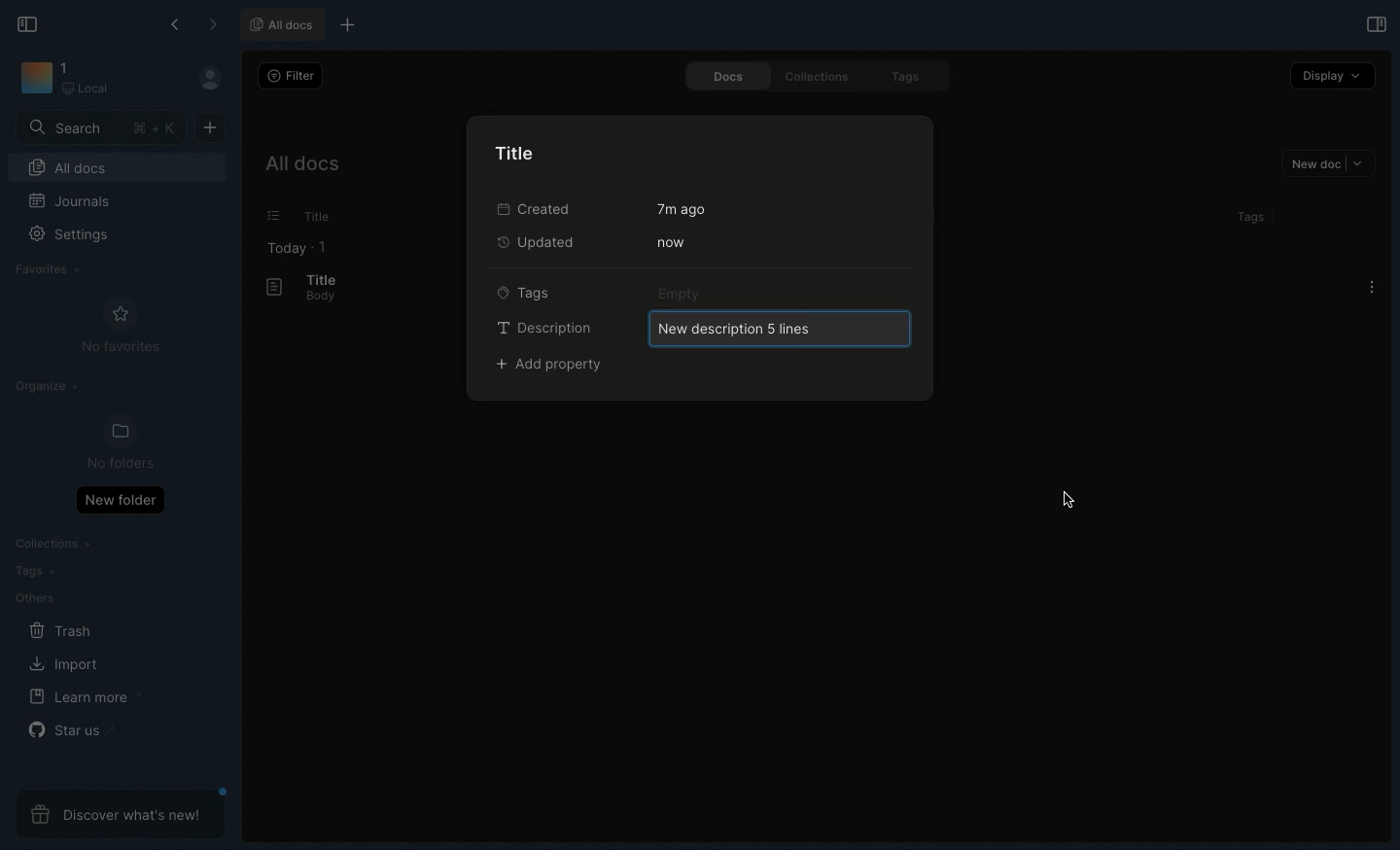 This screenshot has height=850, width=1400. What do you see at coordinates (67, 663) in the screenshot?
I see `Import` at bounding box center [67, 663].